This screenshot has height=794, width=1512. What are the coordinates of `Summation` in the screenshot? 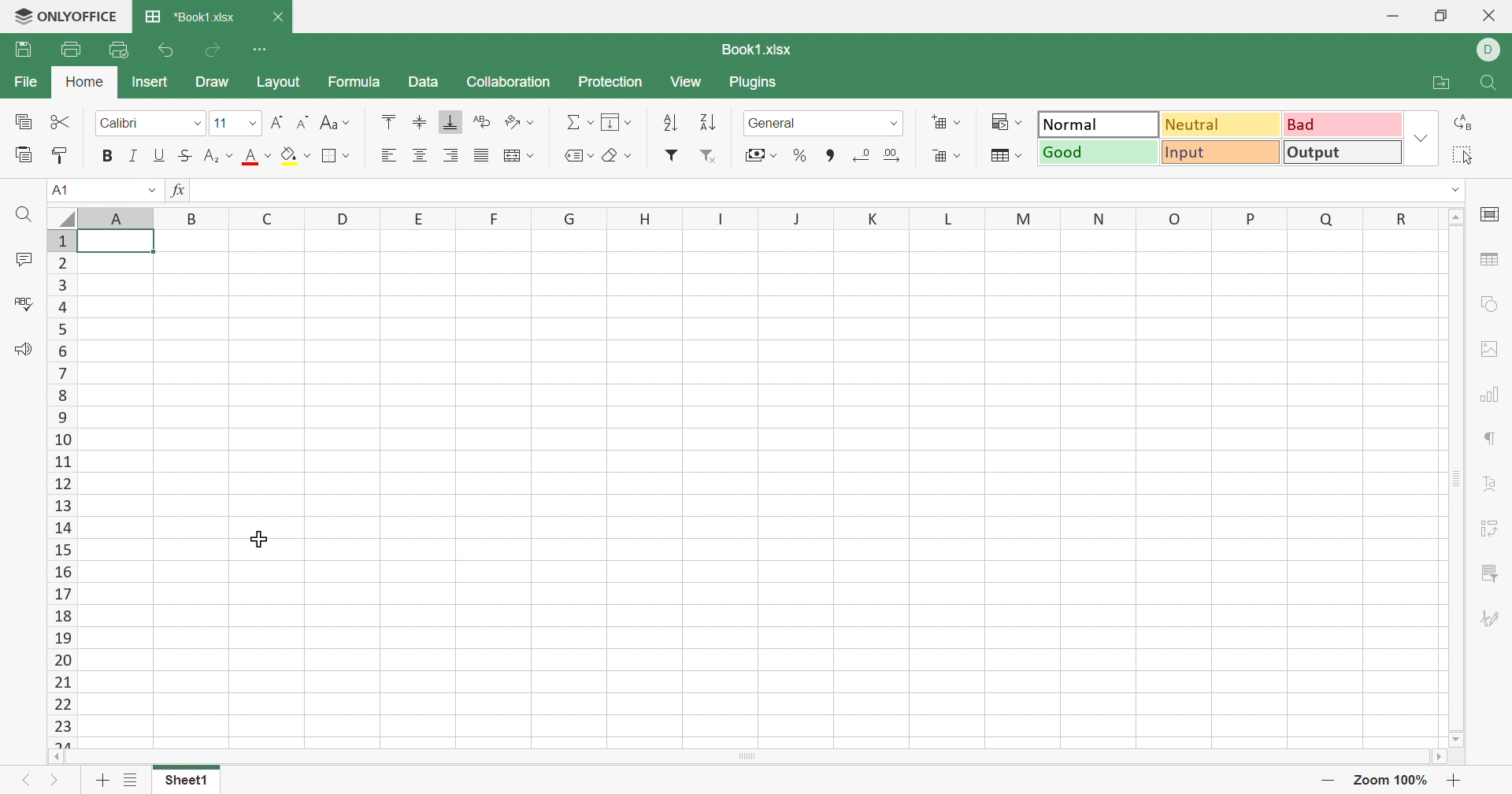 It's located at (571, 121).